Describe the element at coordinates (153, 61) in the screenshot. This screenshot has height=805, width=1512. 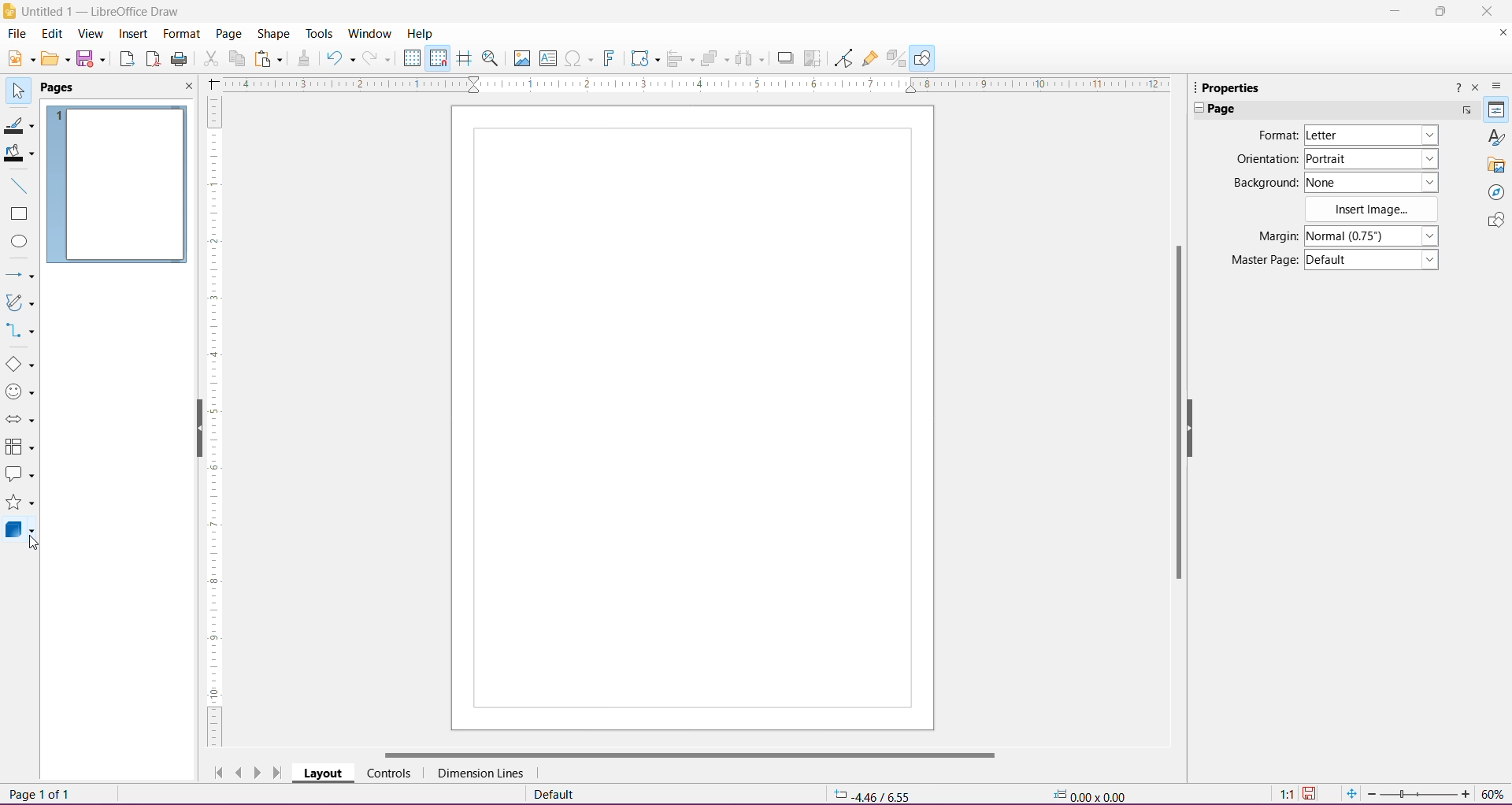
I see `Export as PDF` at that location.